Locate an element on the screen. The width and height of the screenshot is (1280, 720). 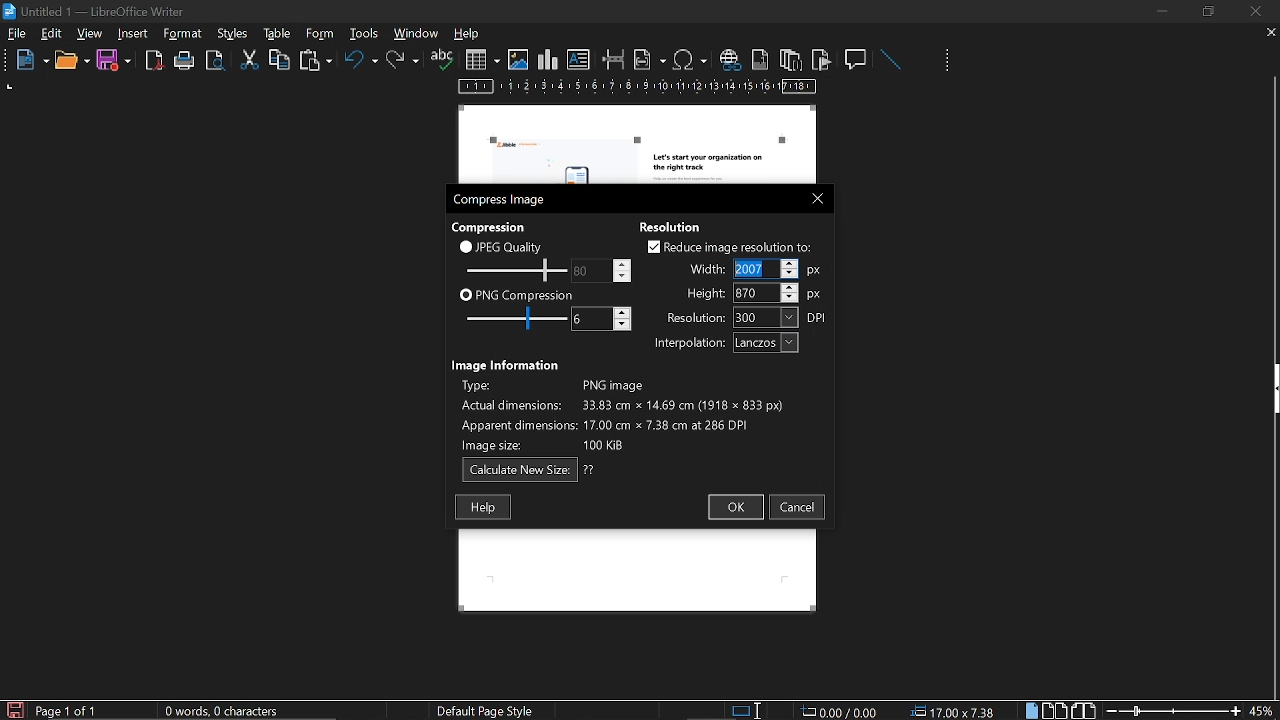
insert page break is located at coordinates (614, 60).